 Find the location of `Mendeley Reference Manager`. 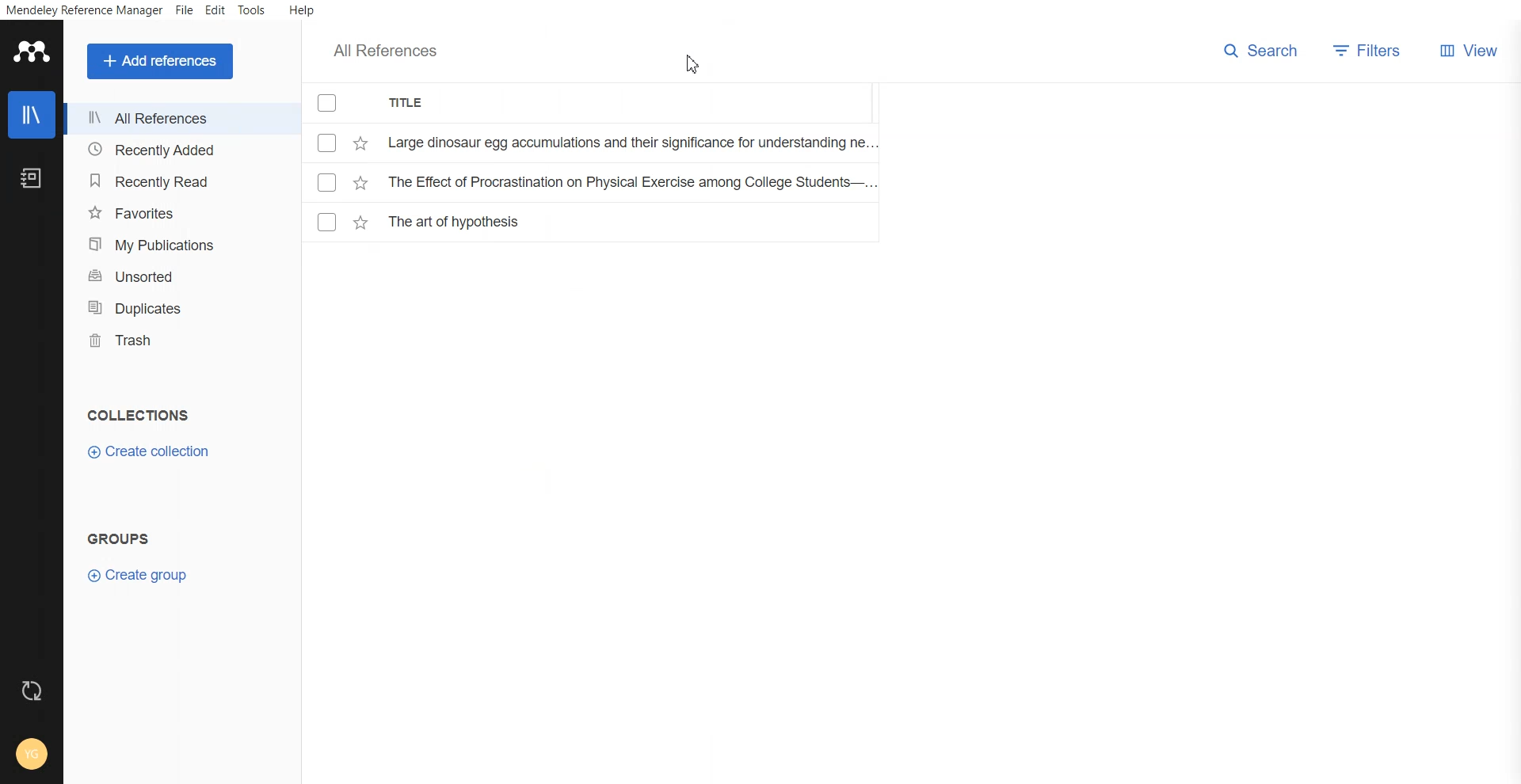

Mendeley Reference Manager is located at coordinates (83, 11).